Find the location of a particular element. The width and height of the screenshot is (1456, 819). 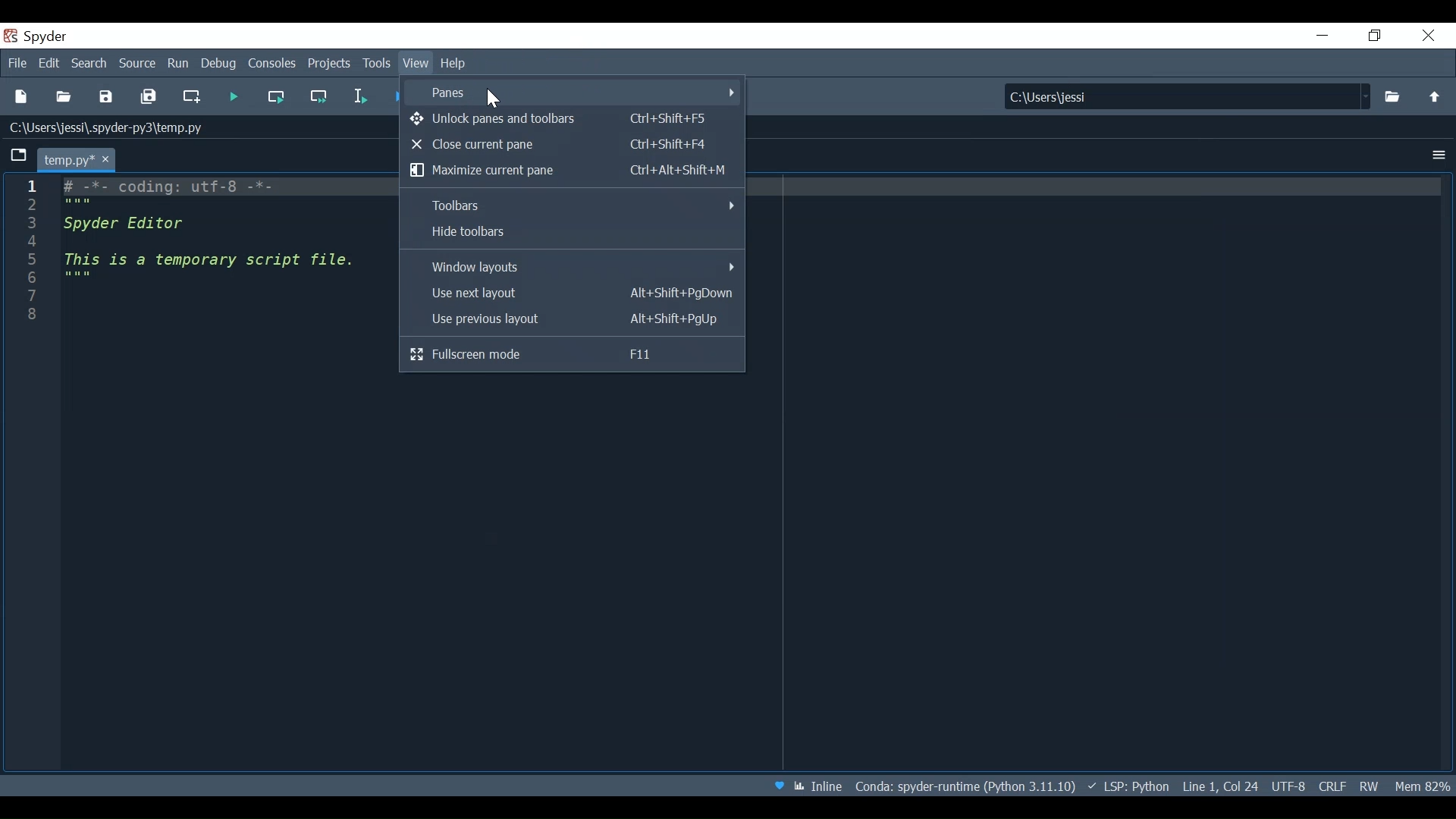

Spyder Desktop Icon is located at coordinates (11, 37).